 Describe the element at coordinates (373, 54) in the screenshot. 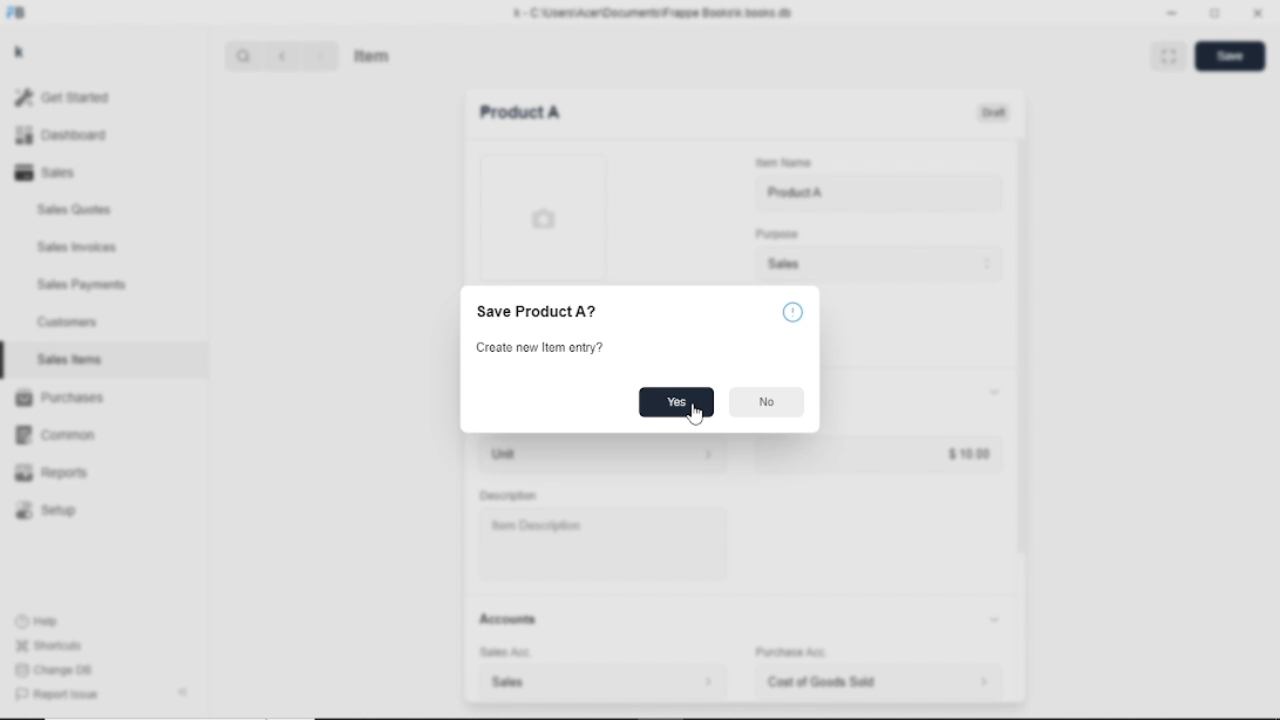

I see ` Item` at that location.